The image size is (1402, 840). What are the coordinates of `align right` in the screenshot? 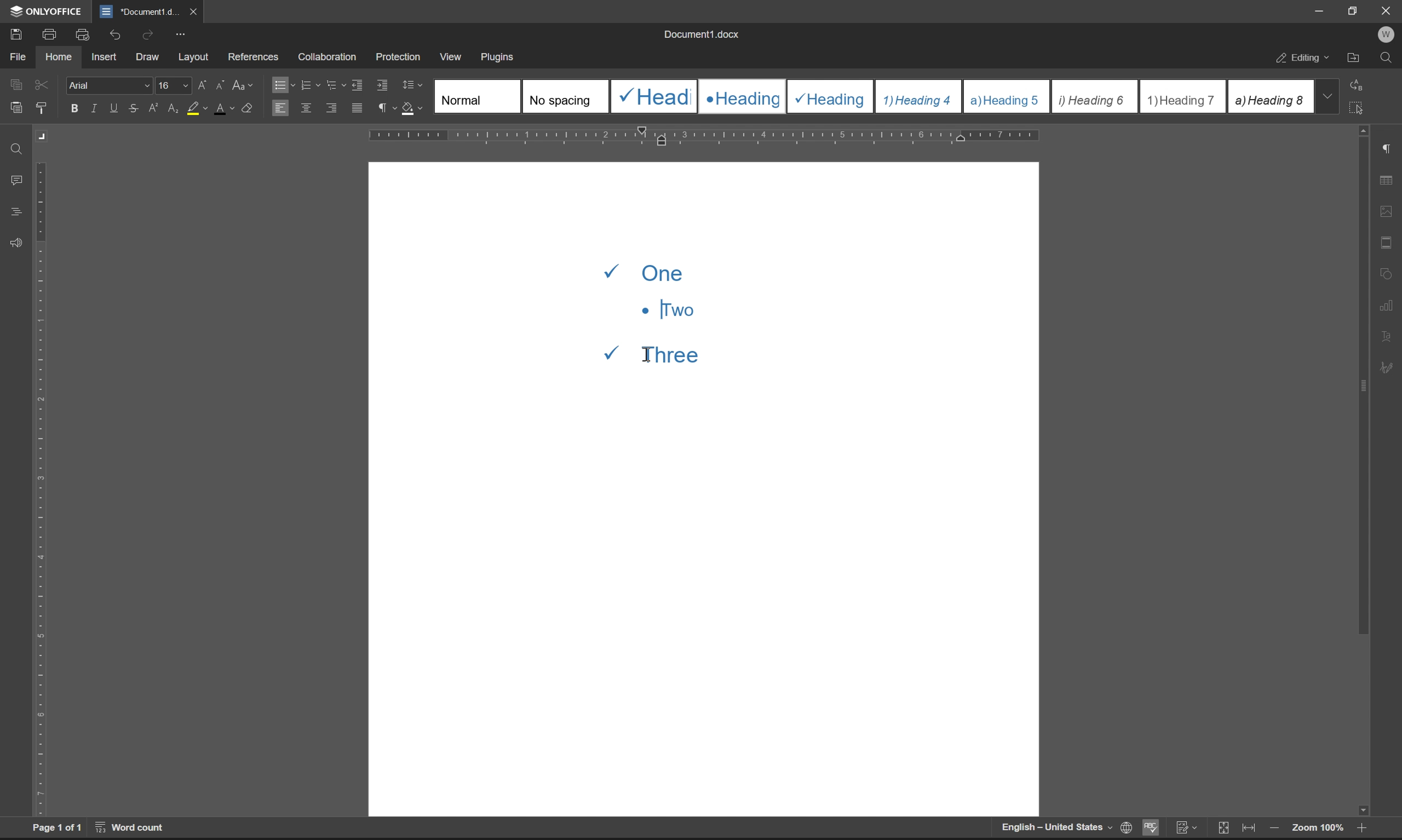 It's located at (333, 107).